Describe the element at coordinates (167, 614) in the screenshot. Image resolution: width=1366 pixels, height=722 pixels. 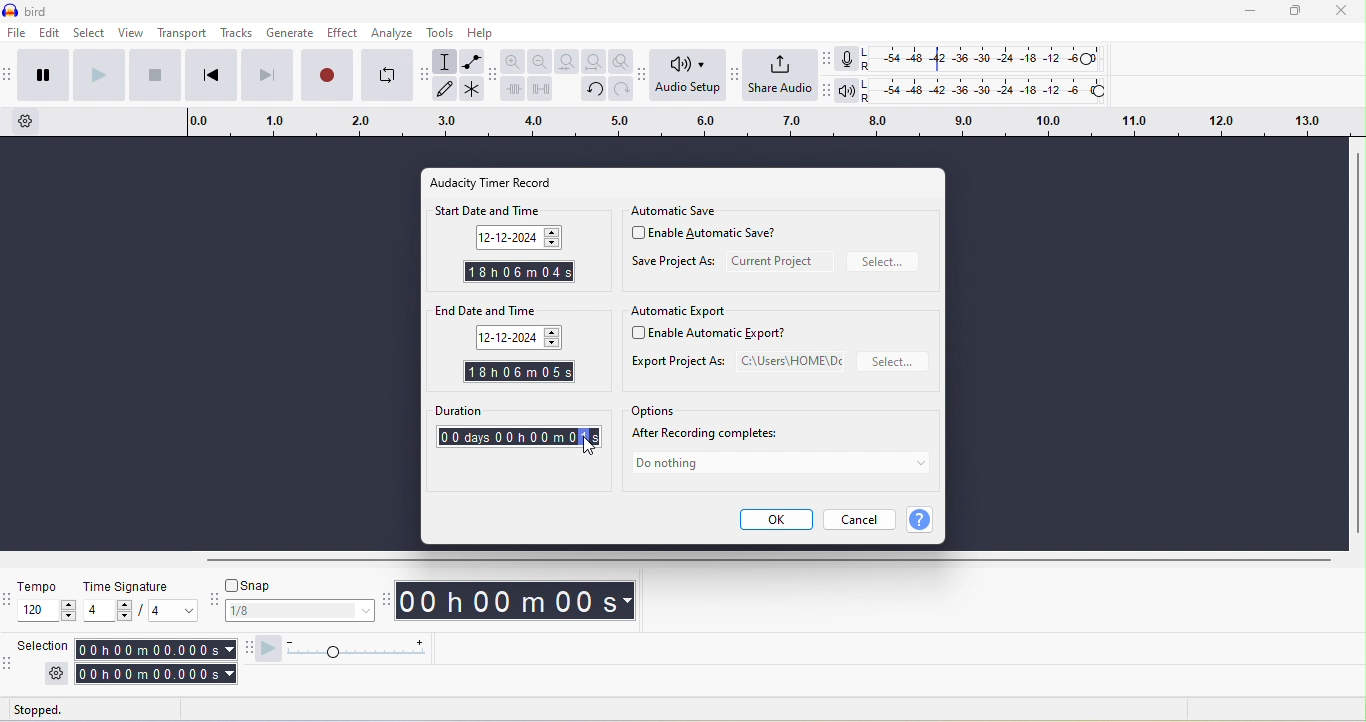
I see `value` at that location.